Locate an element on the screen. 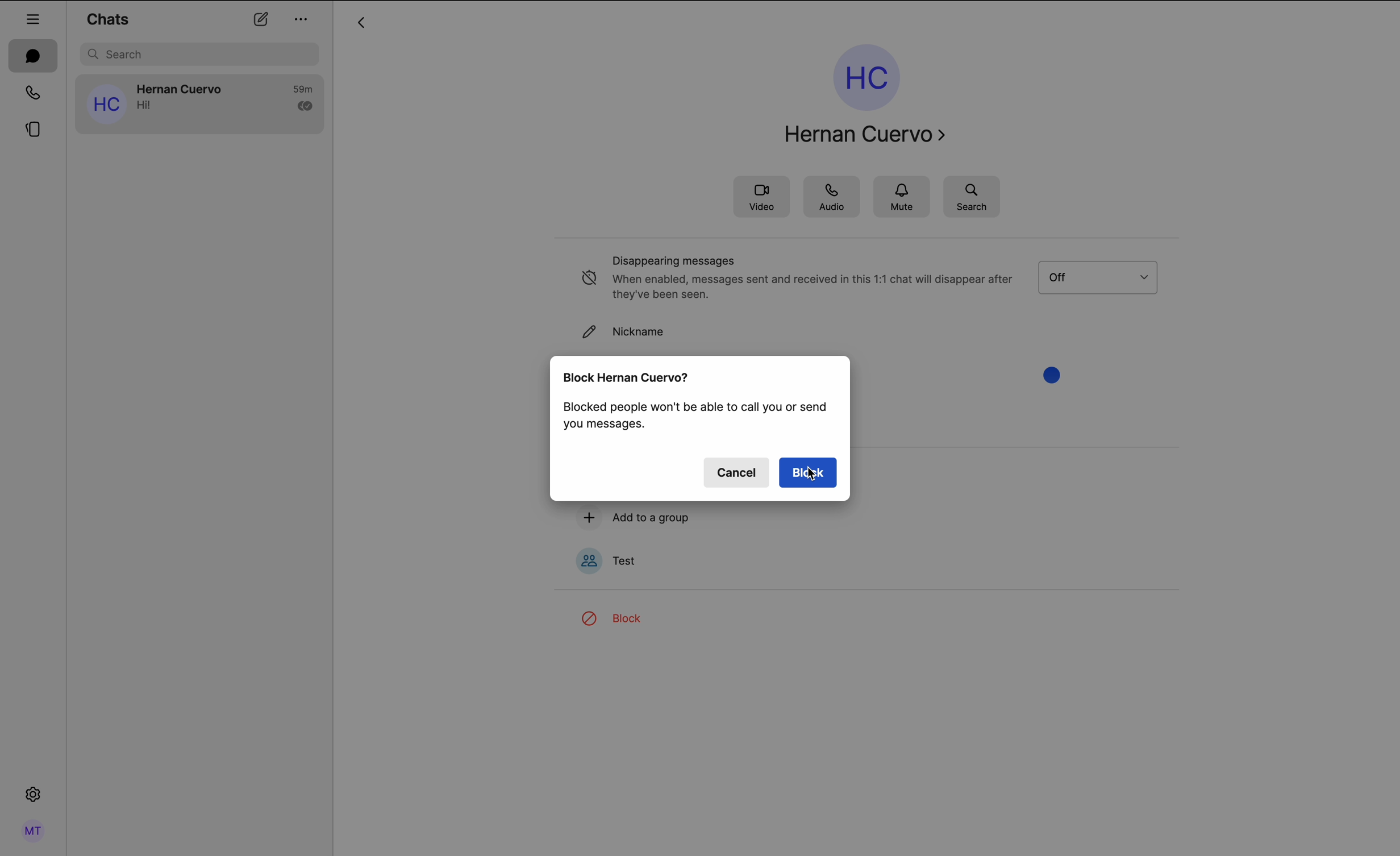 The width and height of the screenshot is (1400, 856). calls is located at coordinates (35, 93).